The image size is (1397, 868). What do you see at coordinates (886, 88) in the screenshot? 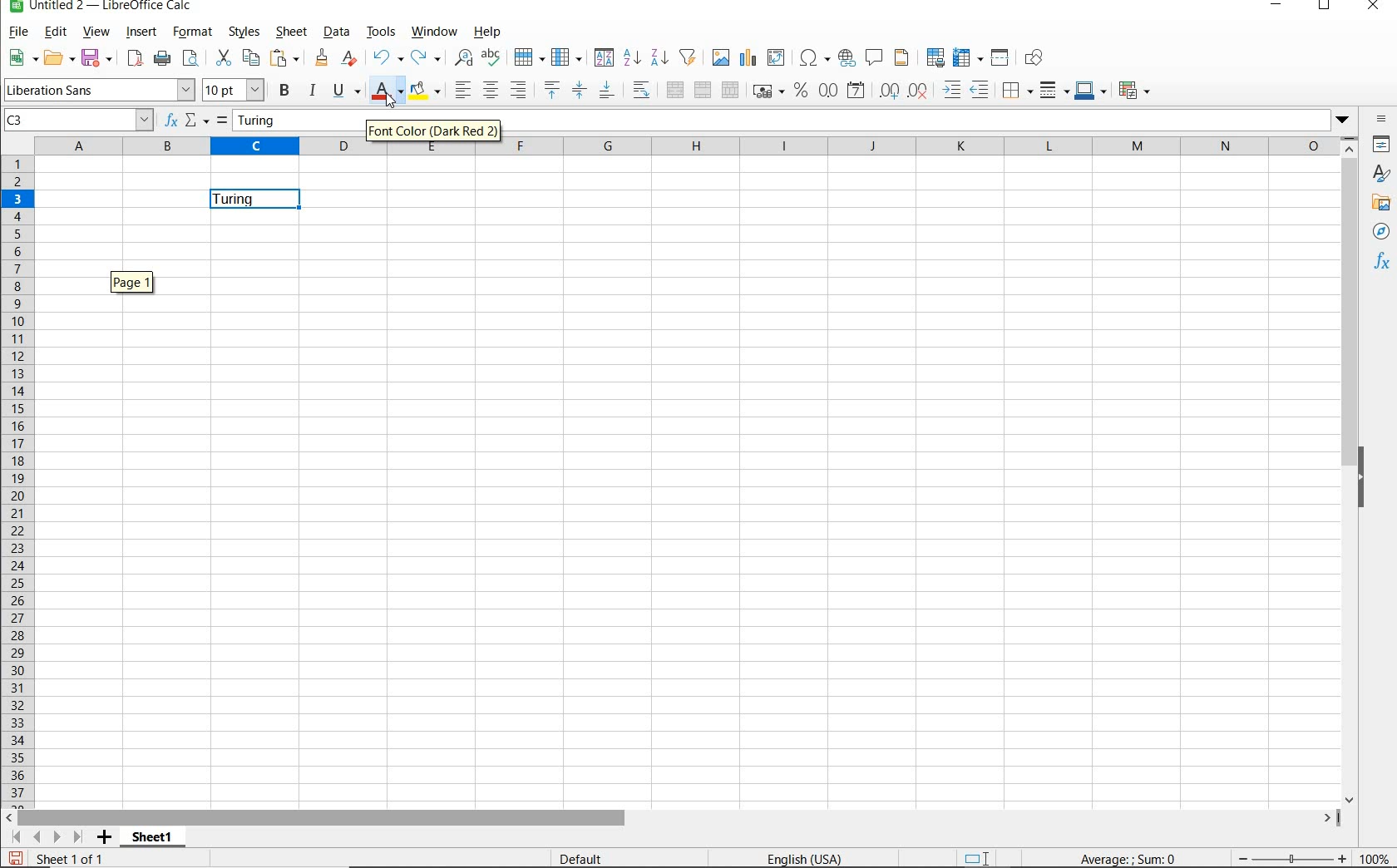
I see `ADD DECIMAL PLACE` at bounding box center [886, 88].